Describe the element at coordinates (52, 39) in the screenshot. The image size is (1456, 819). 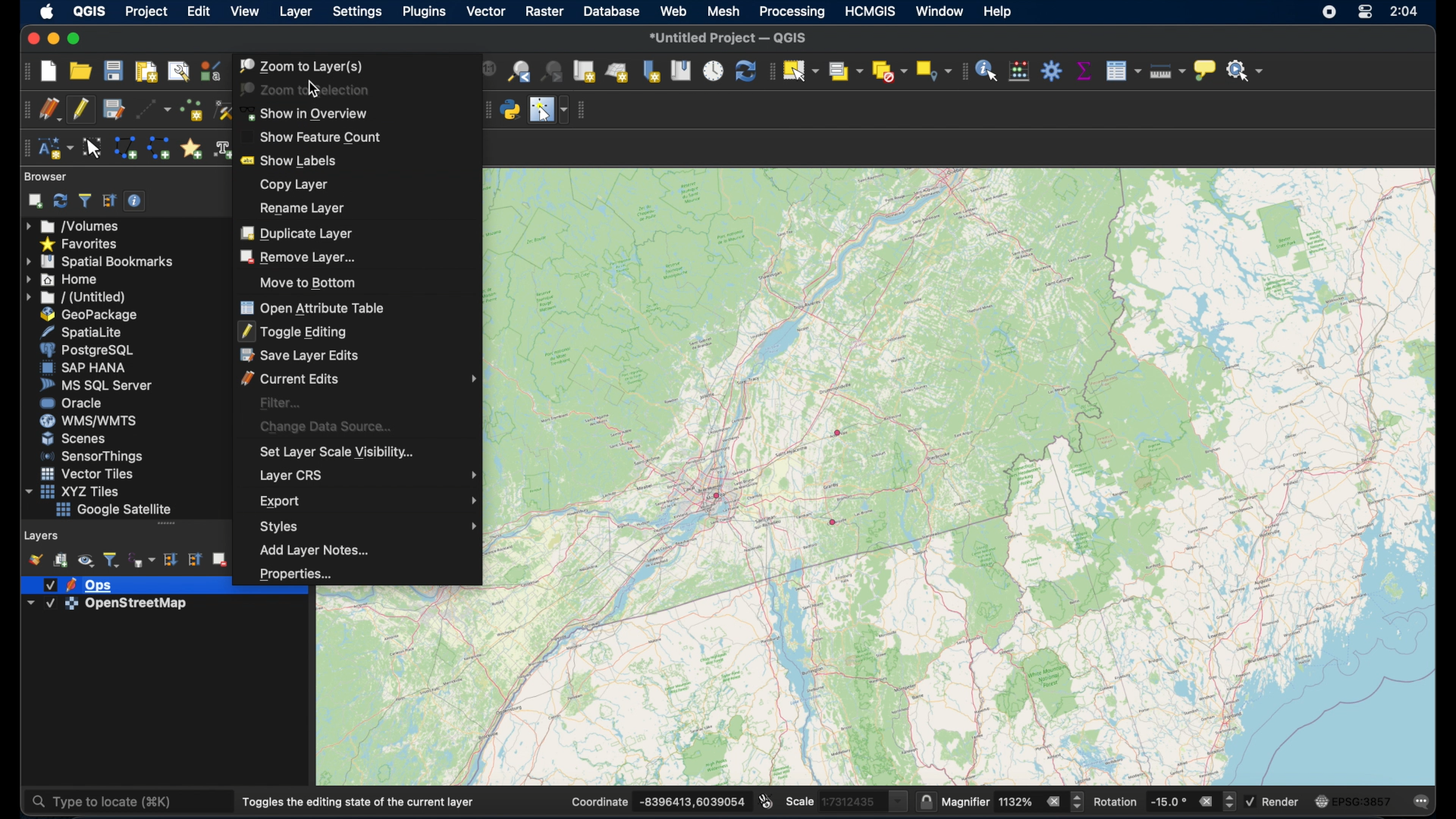
I see `minimize` at that location.